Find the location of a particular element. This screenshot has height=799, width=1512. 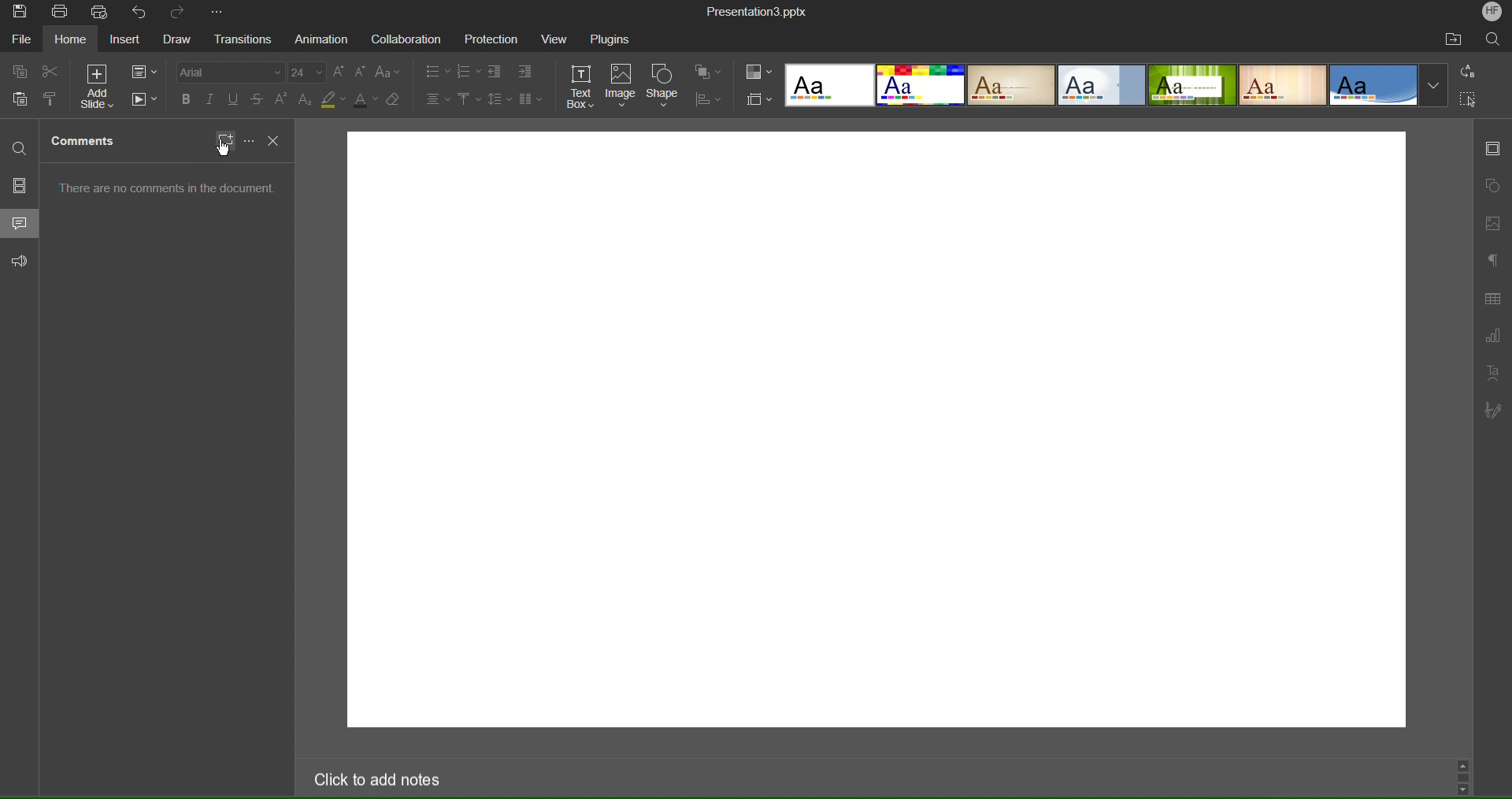

Italics is located at coordinates (212, 99).